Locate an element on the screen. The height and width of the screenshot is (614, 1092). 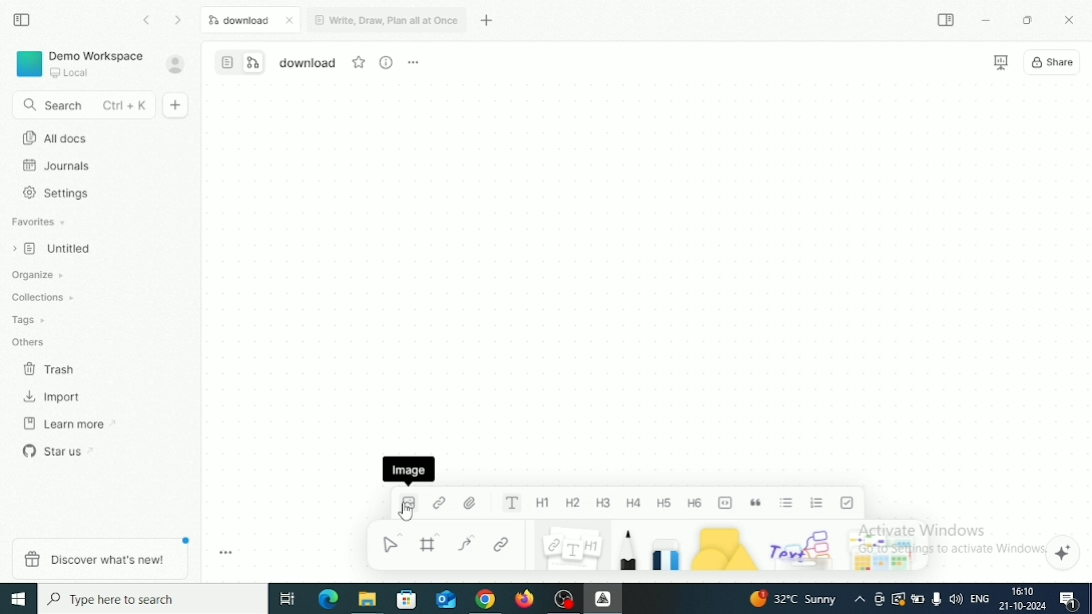
Mail is located at coordinates (444, 600).